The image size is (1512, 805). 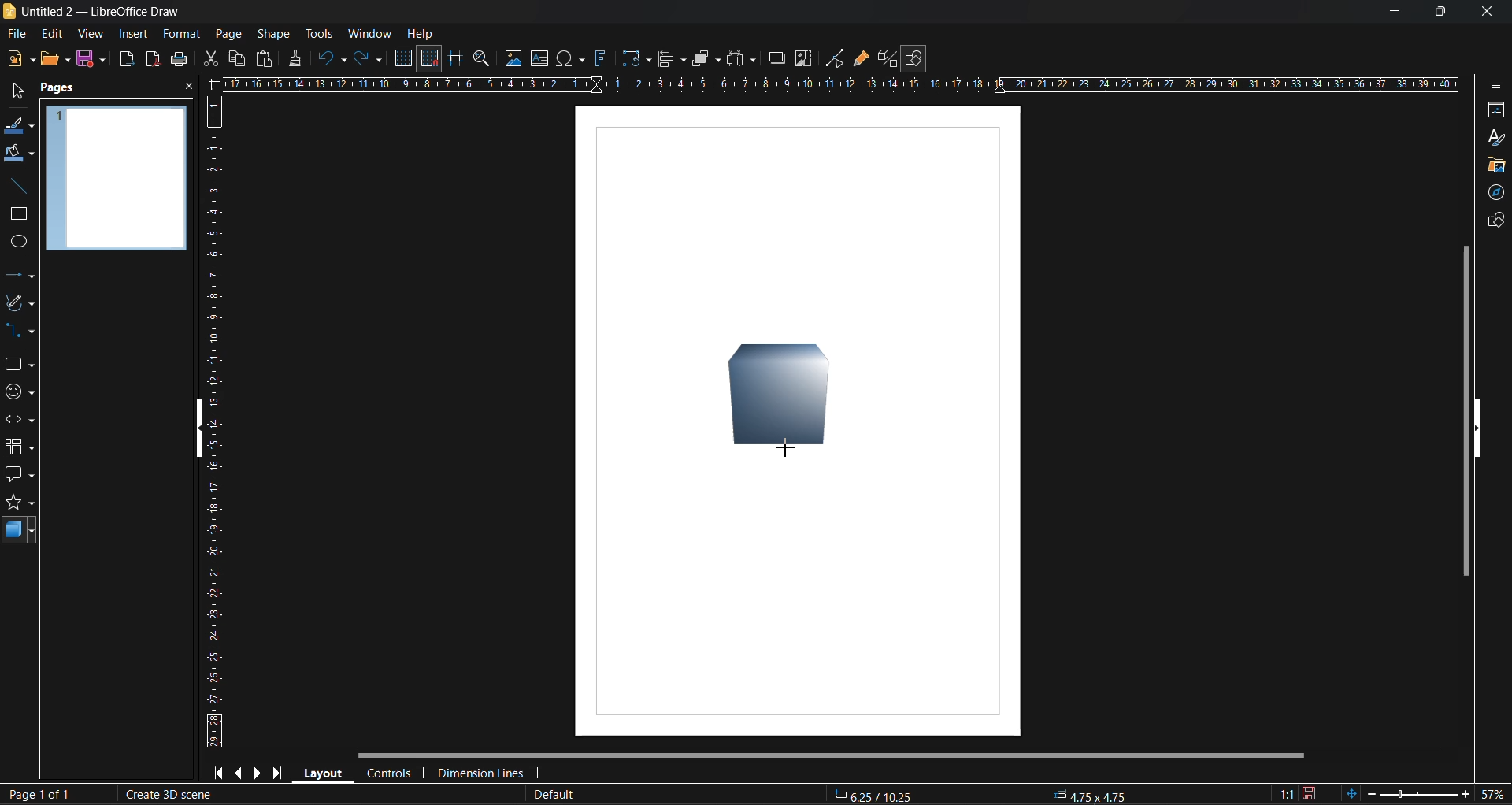 I want to click on arrange, so click(x=704, y=58).